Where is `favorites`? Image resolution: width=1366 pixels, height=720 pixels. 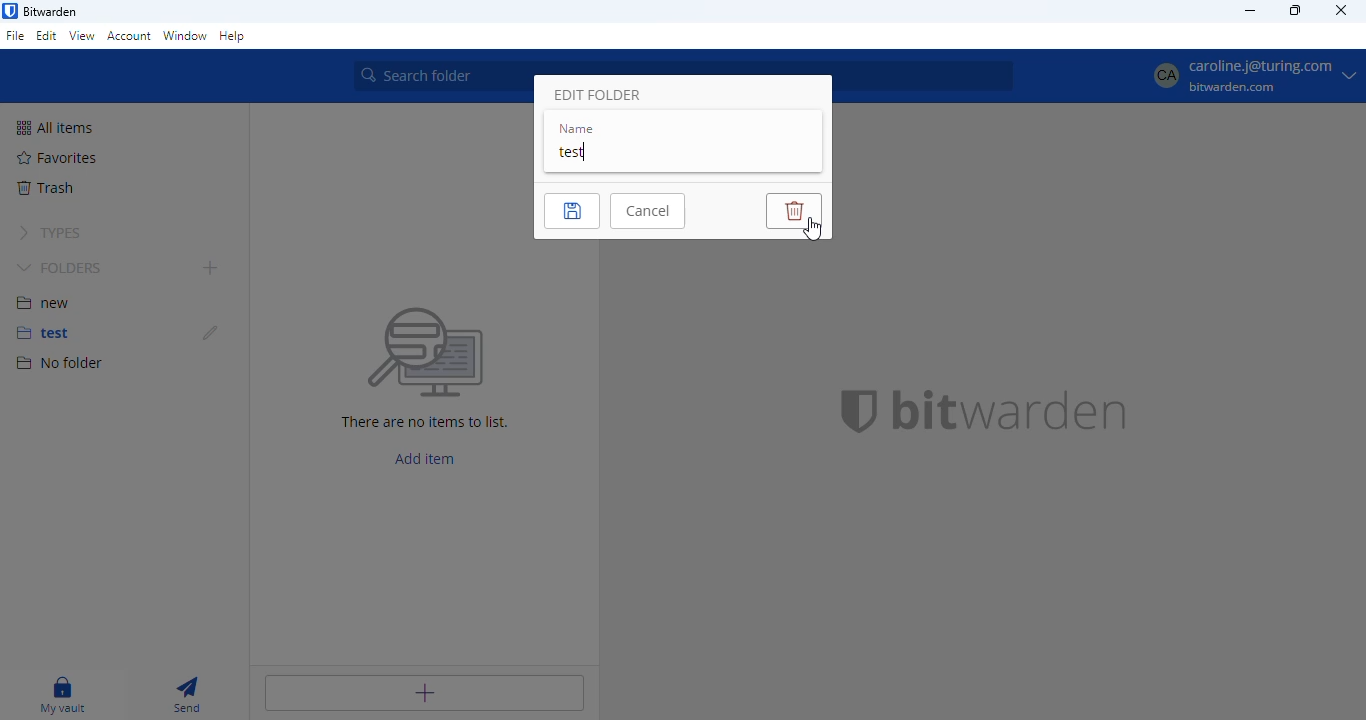
favorites is located at coordinates (58, 158).